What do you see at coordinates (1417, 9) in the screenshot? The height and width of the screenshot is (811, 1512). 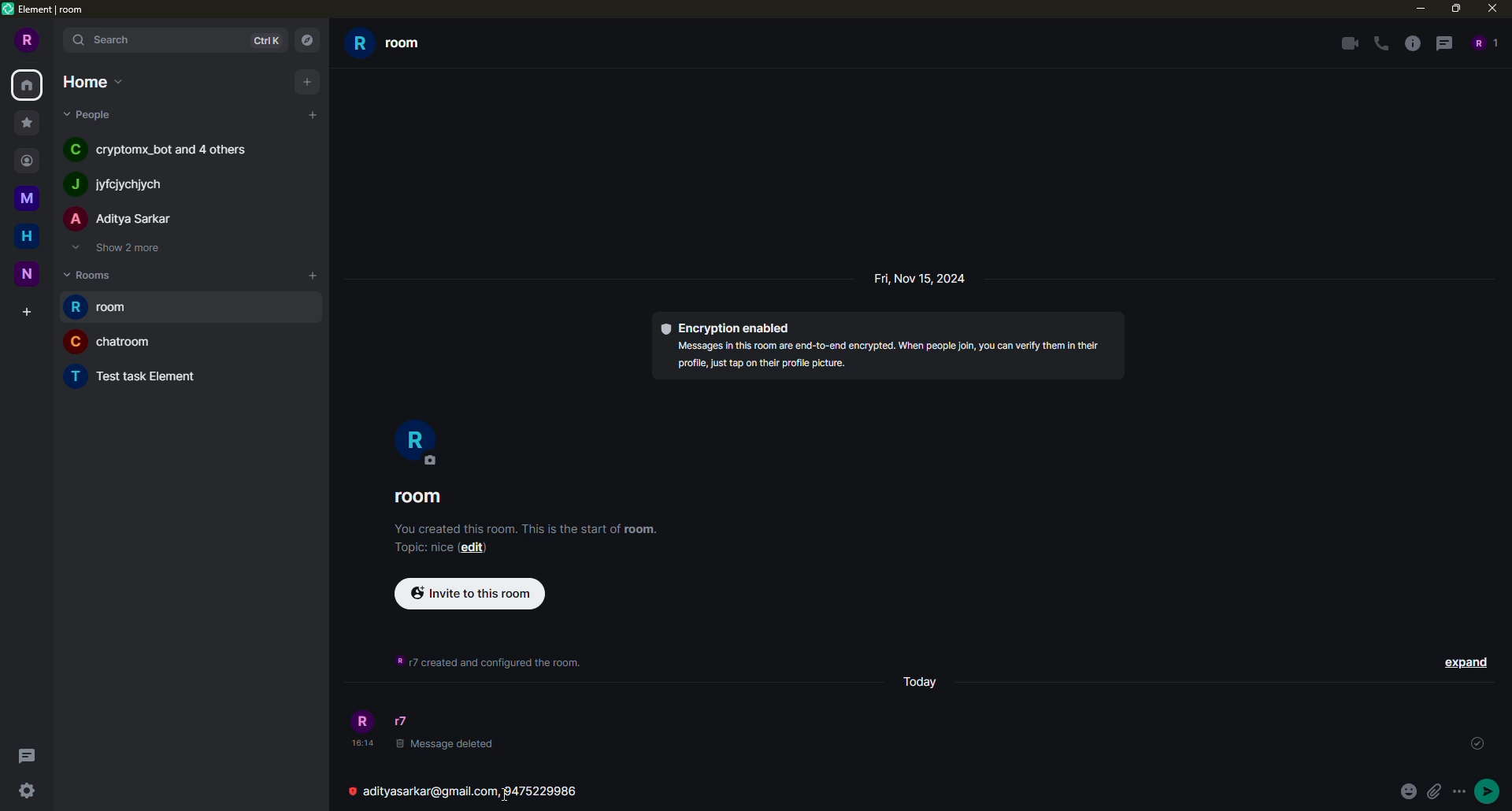 I see `minimize` at bounding box center [1417, 9].